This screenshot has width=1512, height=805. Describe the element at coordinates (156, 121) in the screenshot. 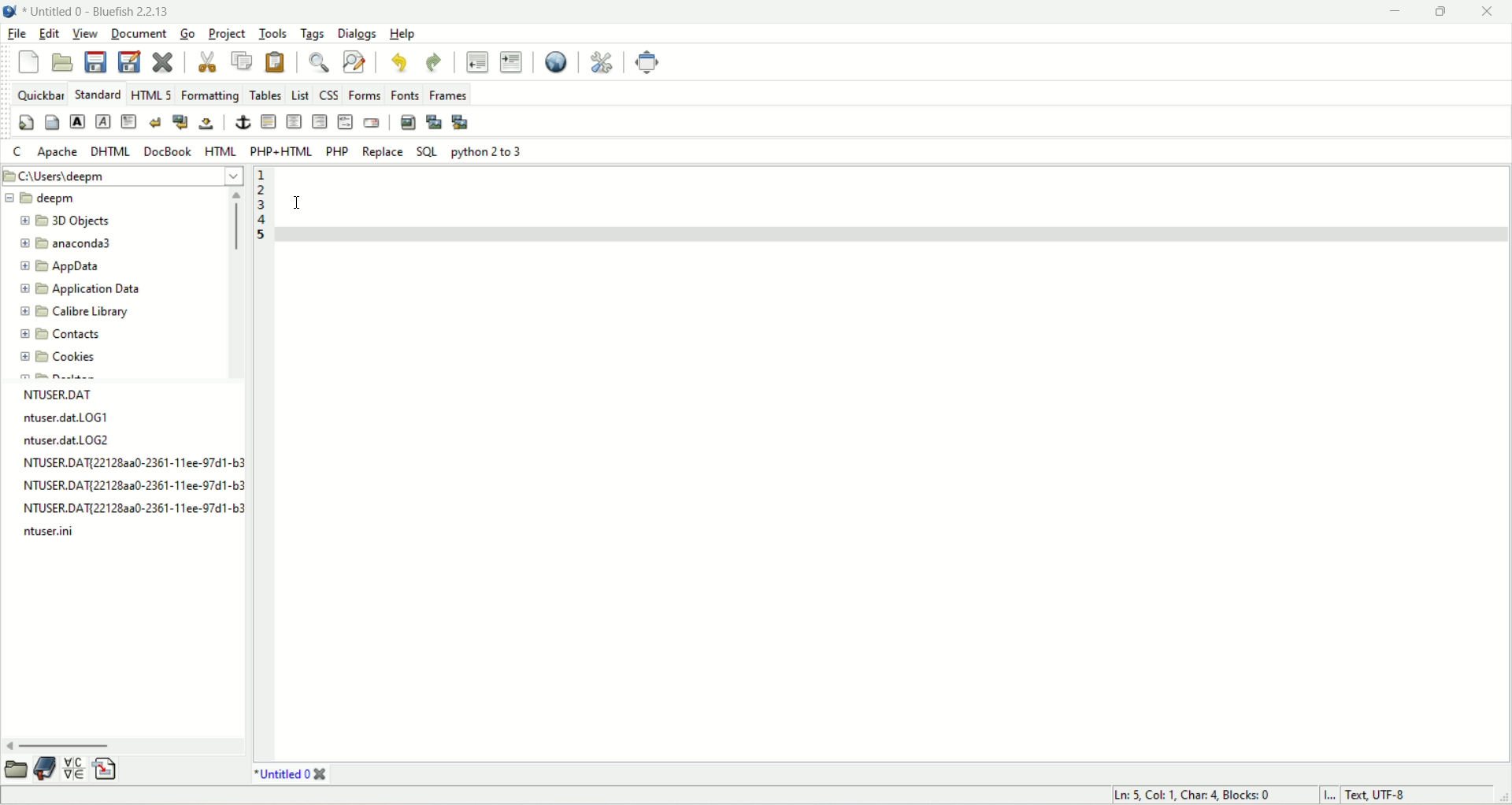

I see `break` at that location.